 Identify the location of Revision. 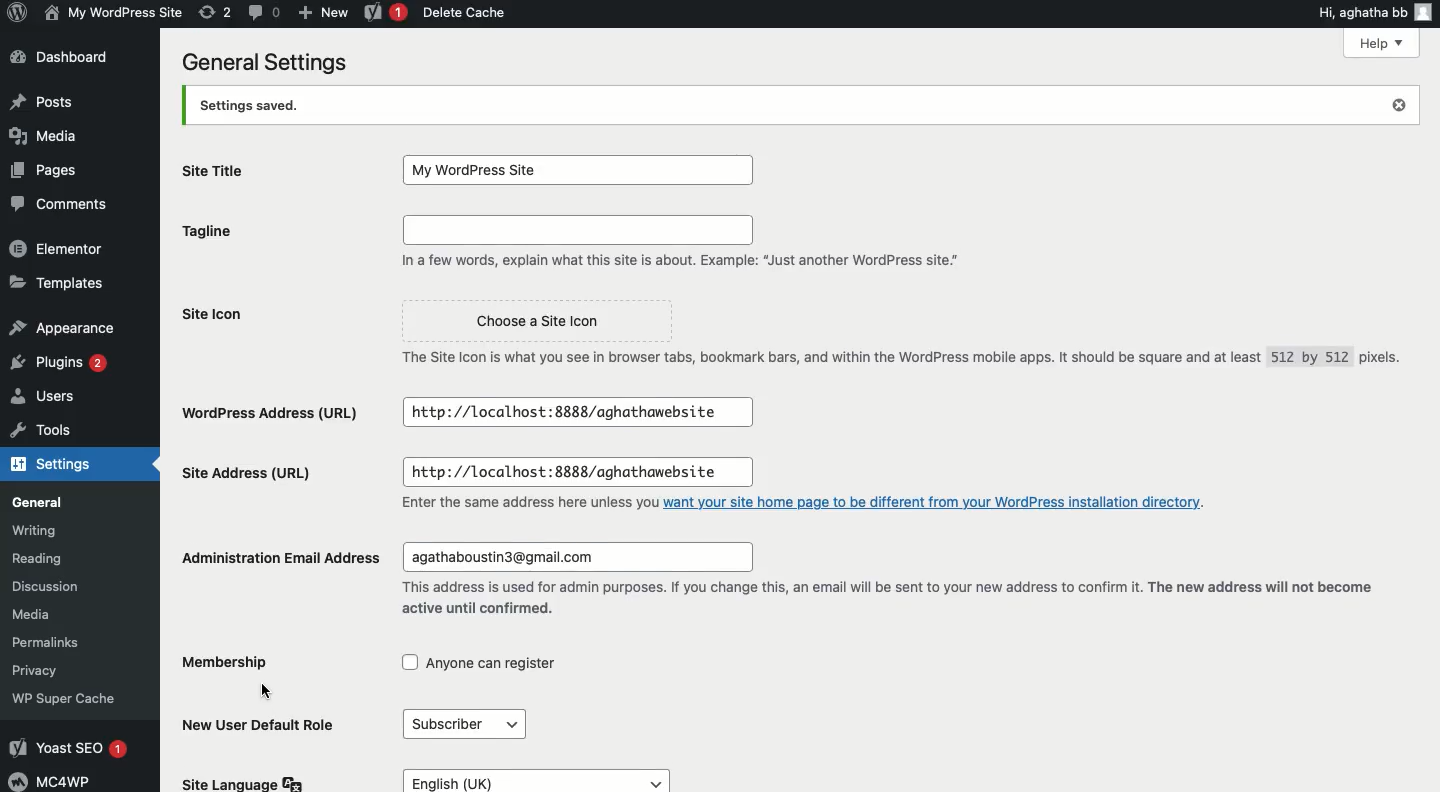
(215, 12).